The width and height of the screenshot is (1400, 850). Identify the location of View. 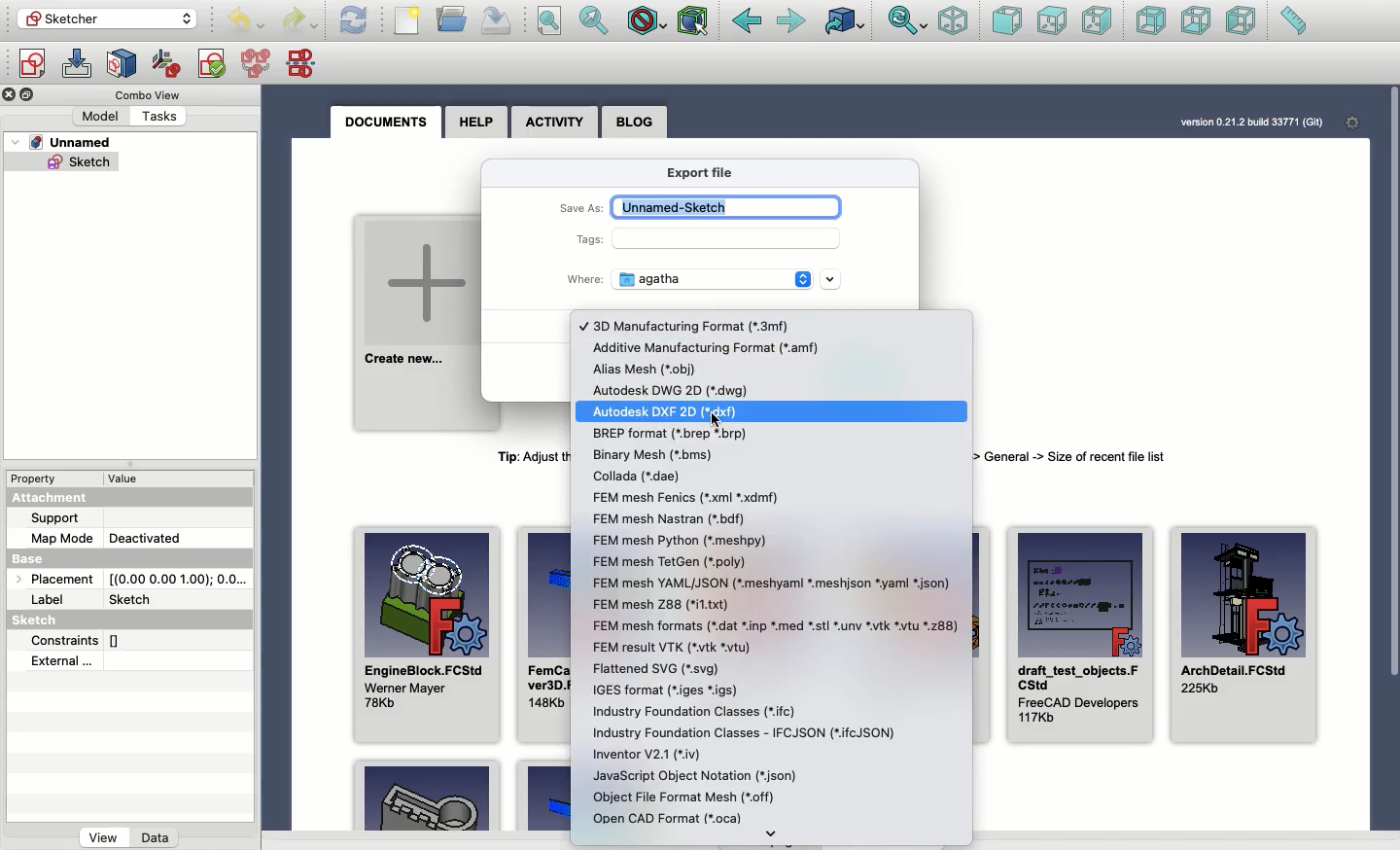
(102, 836).